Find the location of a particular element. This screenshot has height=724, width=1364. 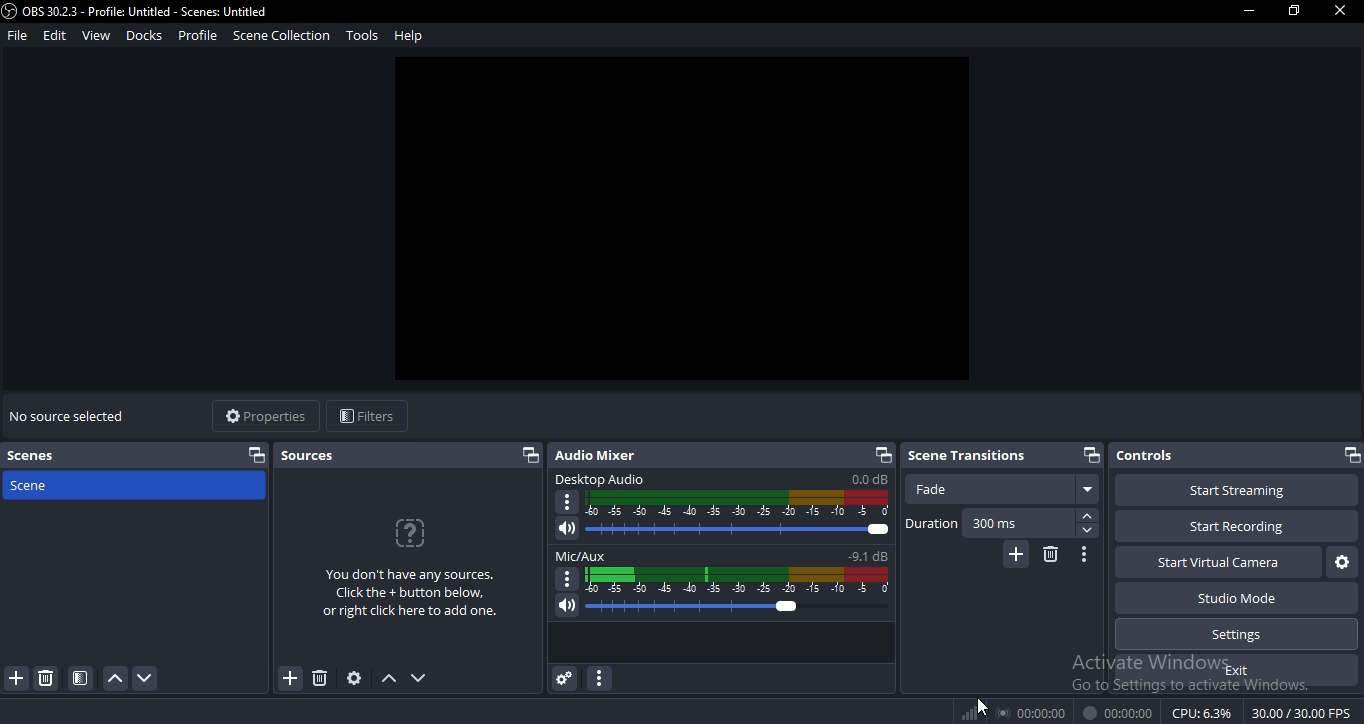

file is located at coordinates (17, 37).